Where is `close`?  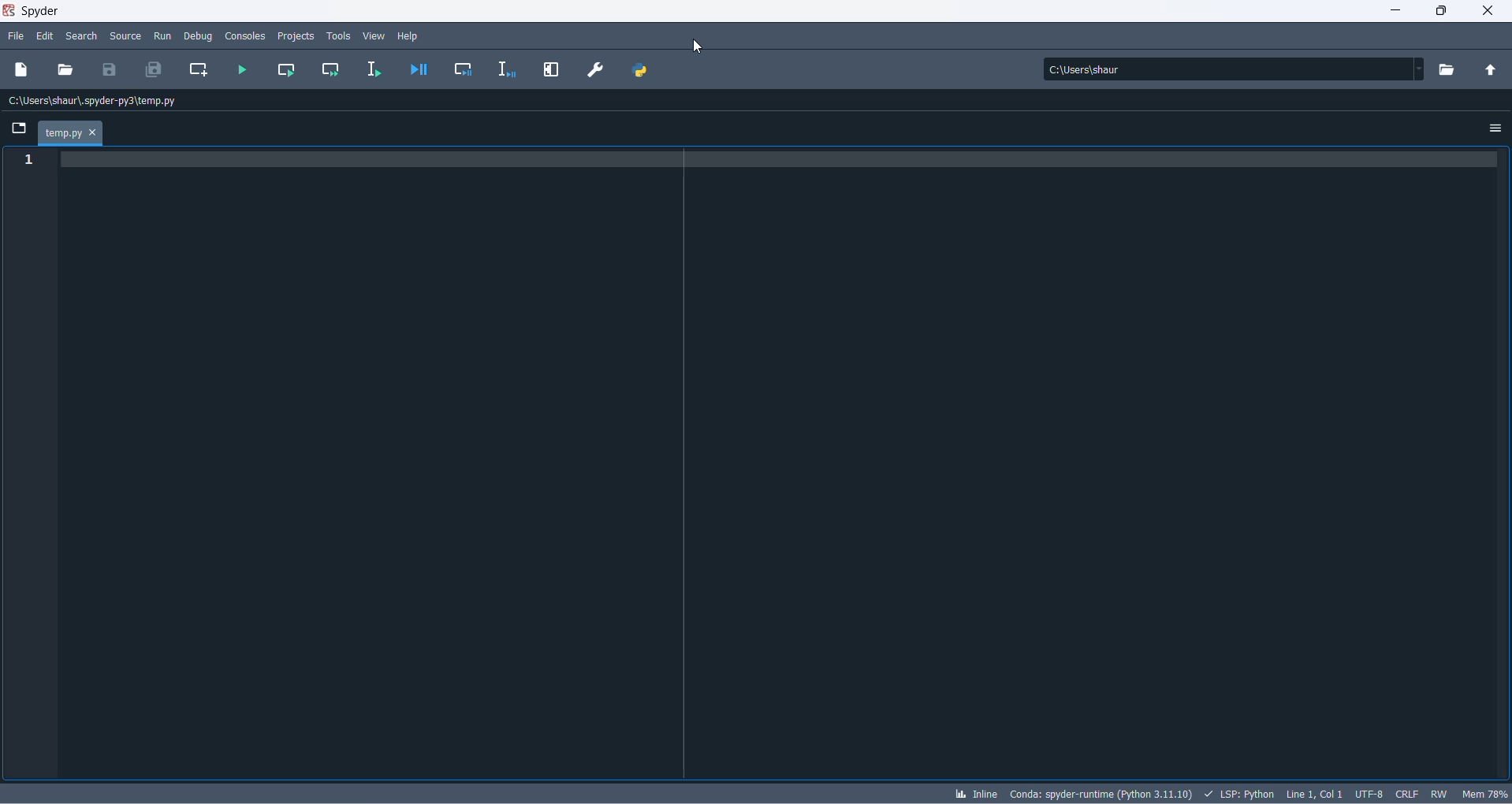 close is located at coordinates (1494, 14).